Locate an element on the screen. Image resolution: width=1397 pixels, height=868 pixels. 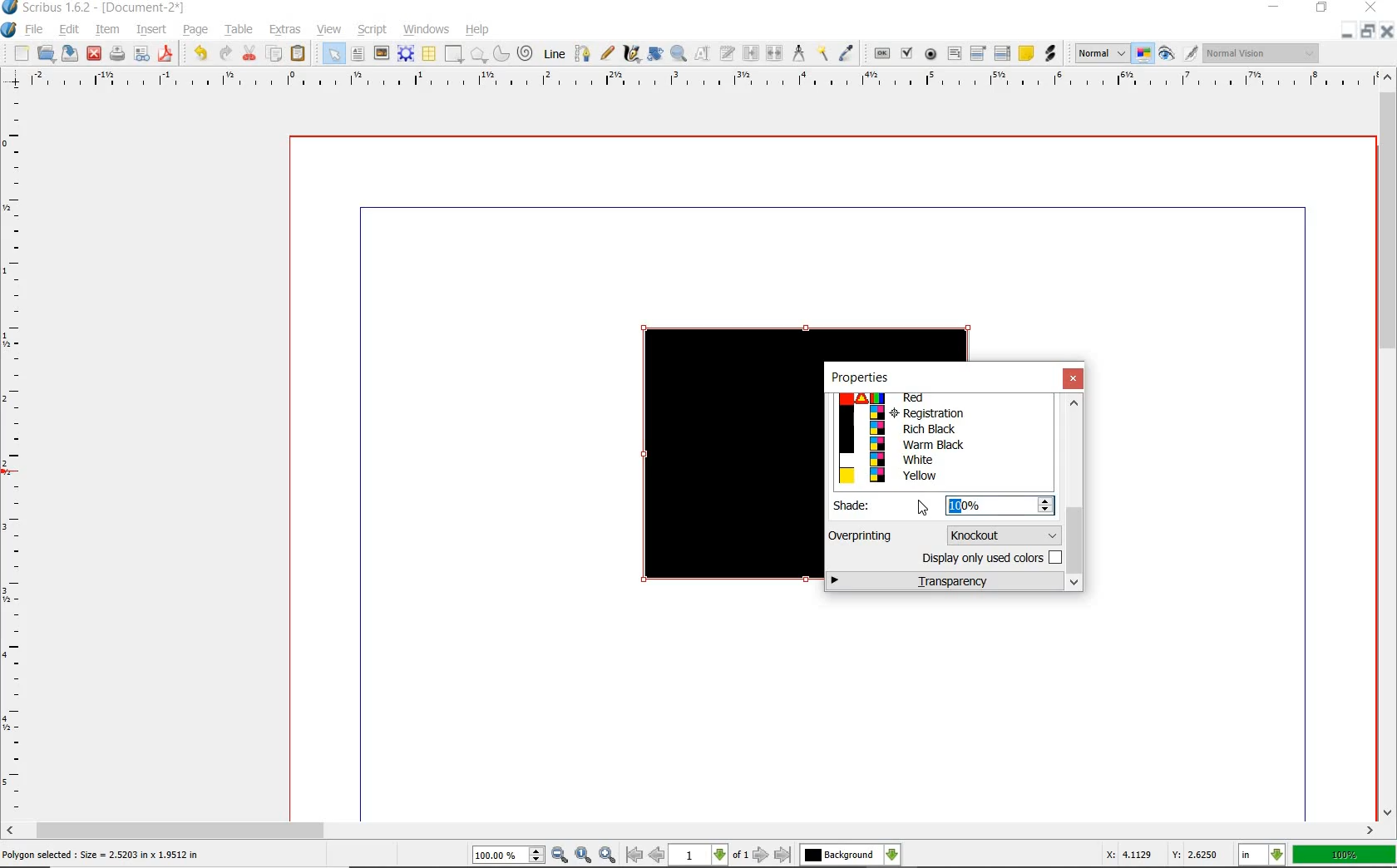
Scribus 1.6.2 - [Document-2*] is located at coordinates (96, 8).